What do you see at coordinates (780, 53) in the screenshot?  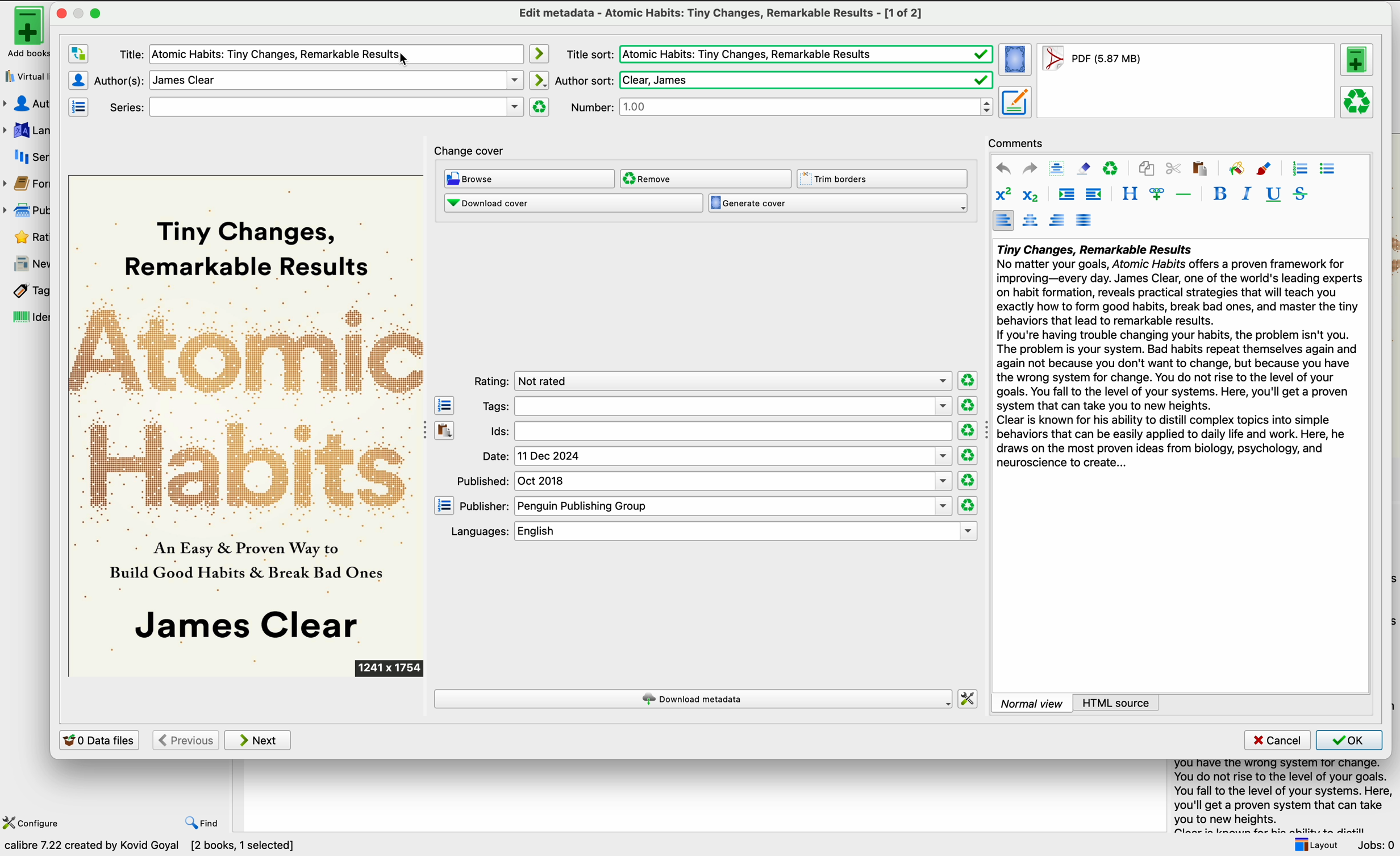 I see `title sort:` at bounding box center [780, 53].